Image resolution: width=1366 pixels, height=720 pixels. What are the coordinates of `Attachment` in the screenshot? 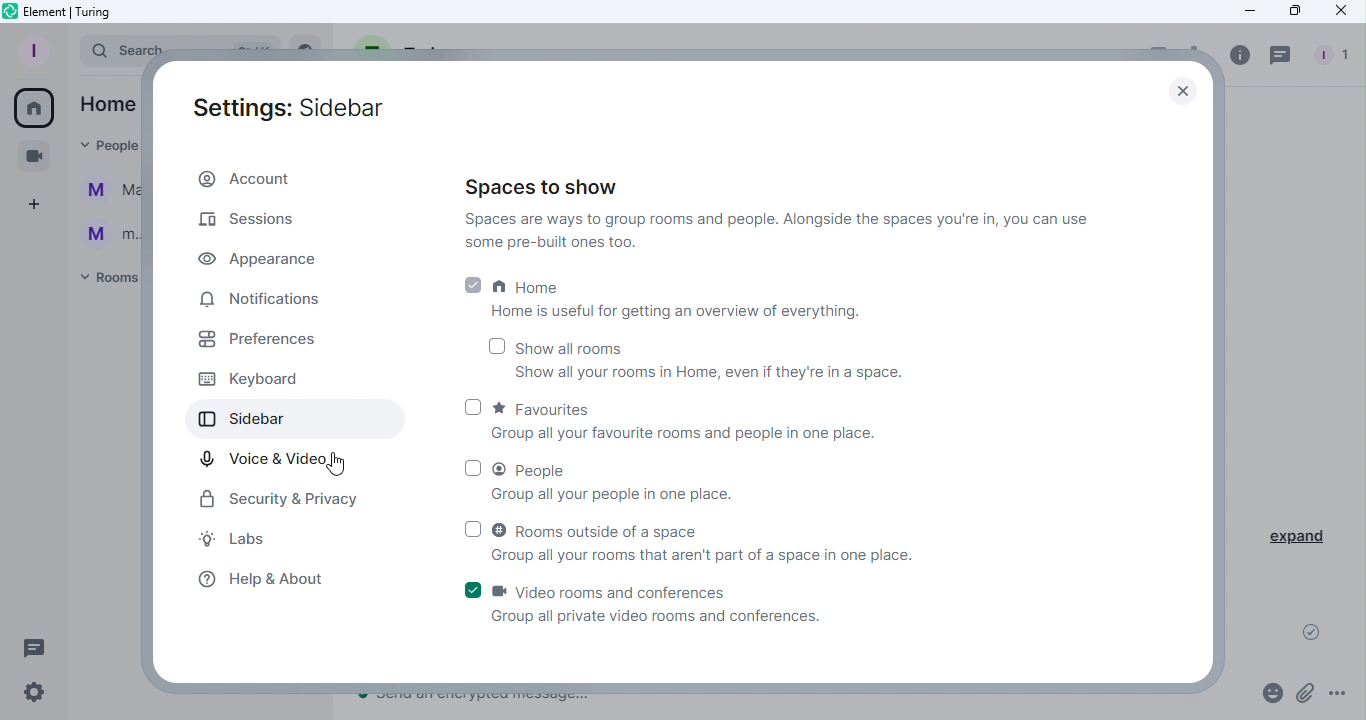 It's located at (1306, 697).